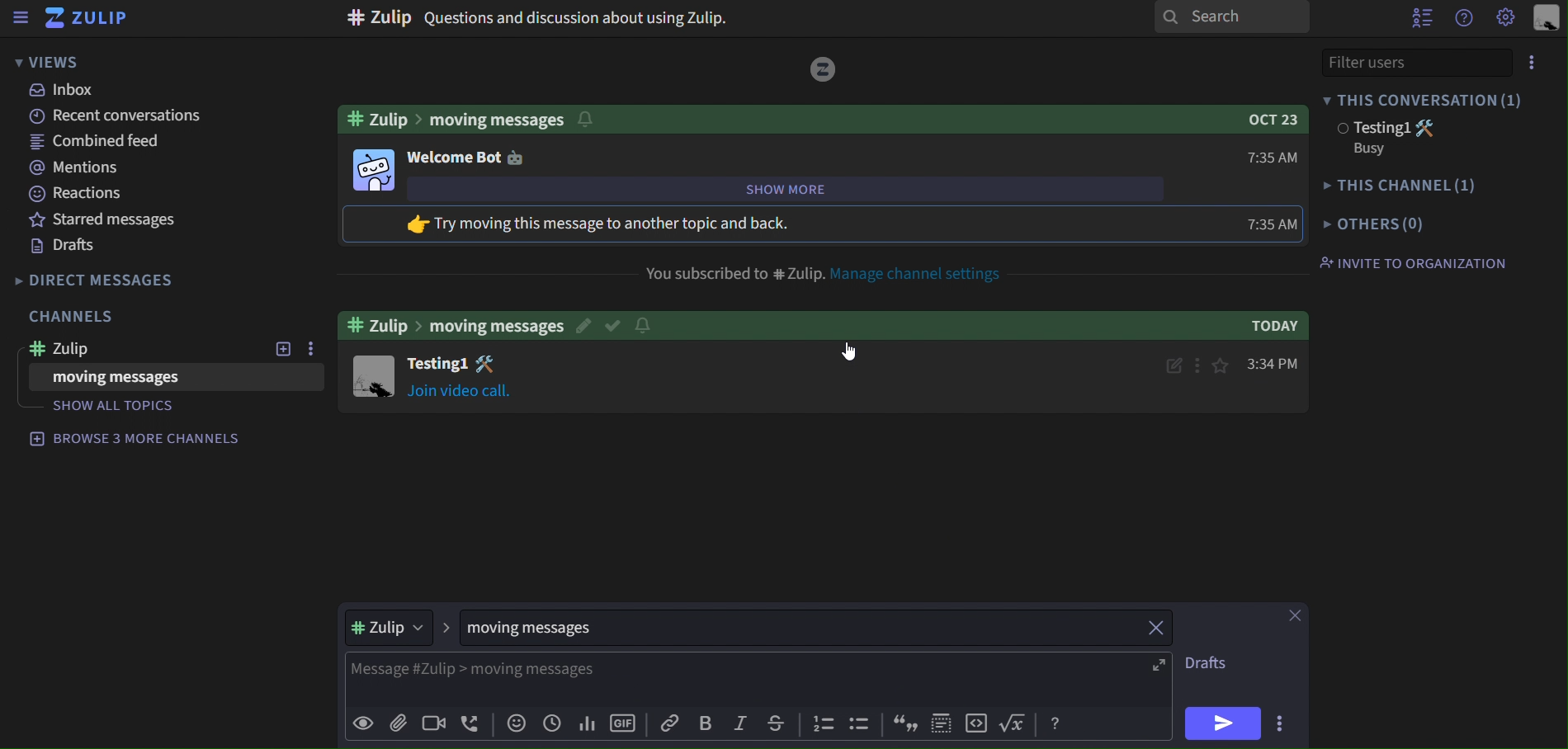 This screenshot has width=1568, height=749. What do you see at coordinates (824, 68) in the screenshot?
I see `image ` at bounding box center [824, 68].